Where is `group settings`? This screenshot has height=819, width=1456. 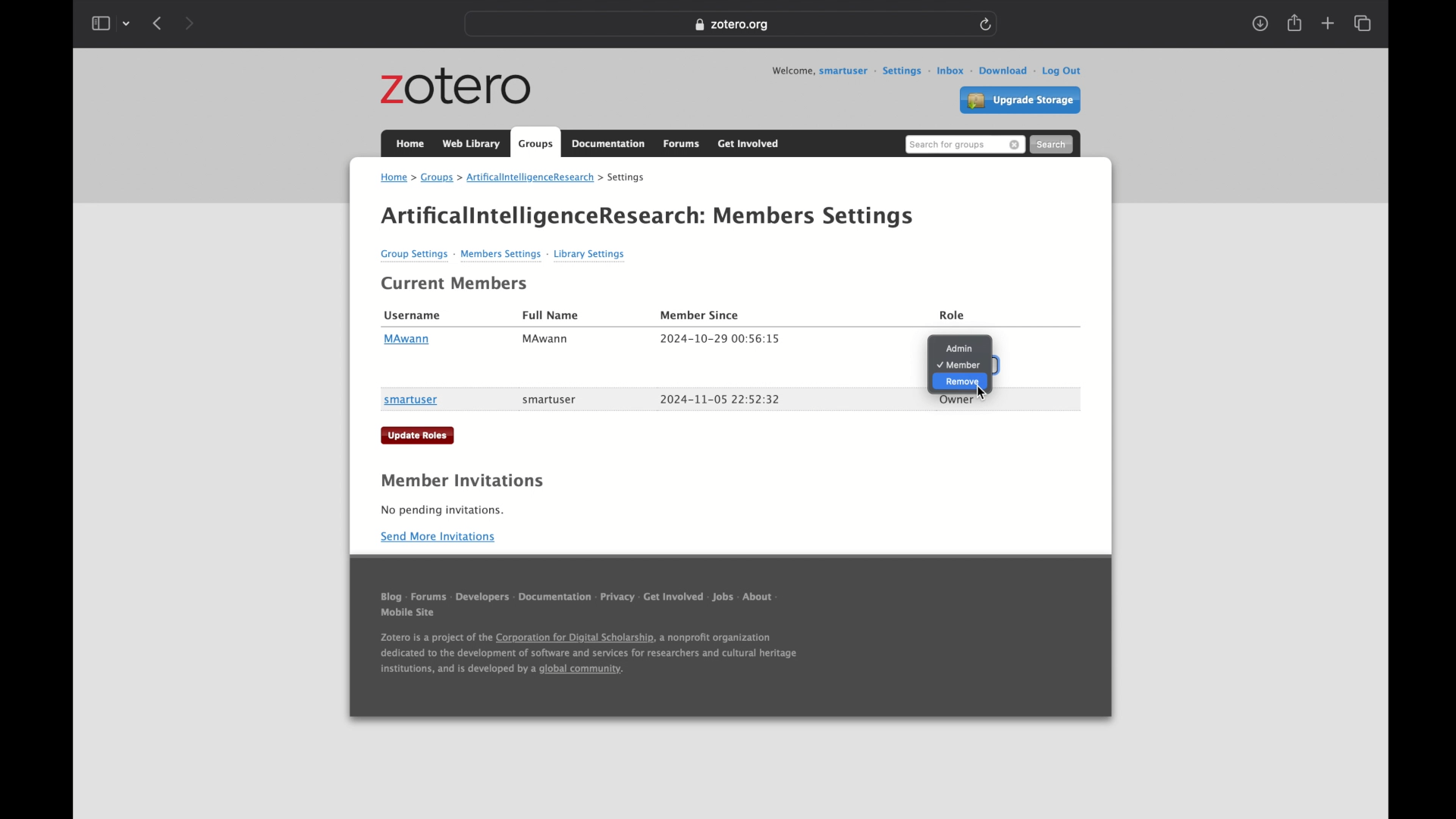
group settings is located at coordinates (416, 256).